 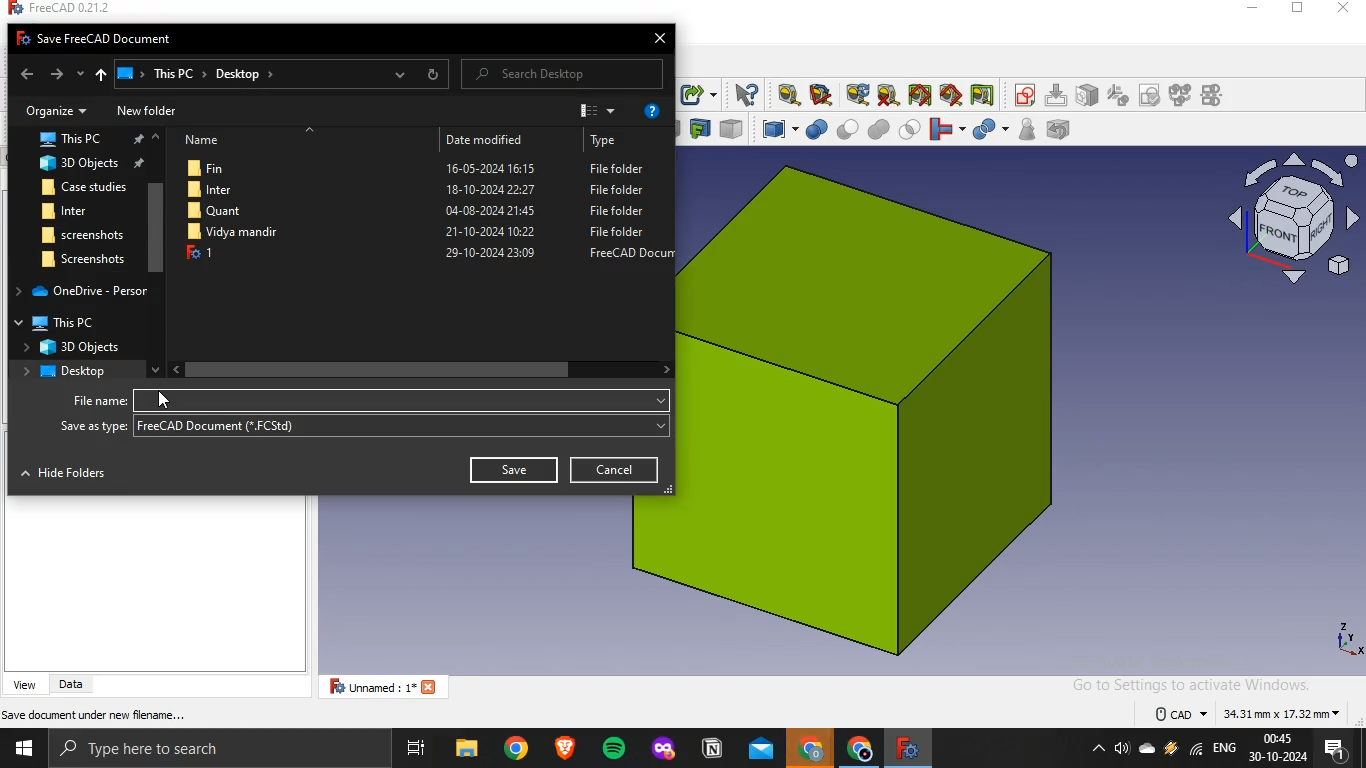 I want to click on forward, so click(x=55, y=75).